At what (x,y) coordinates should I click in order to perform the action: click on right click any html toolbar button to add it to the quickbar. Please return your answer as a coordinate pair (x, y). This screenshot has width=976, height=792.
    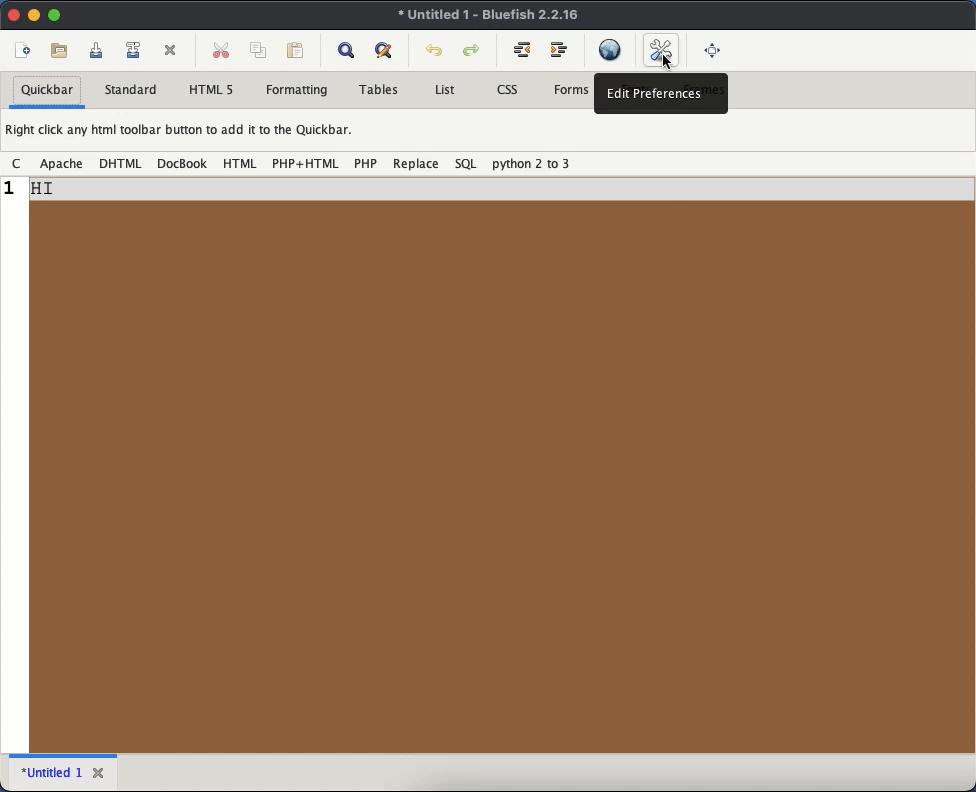
    Looking at the image, I should click on (183, 130).